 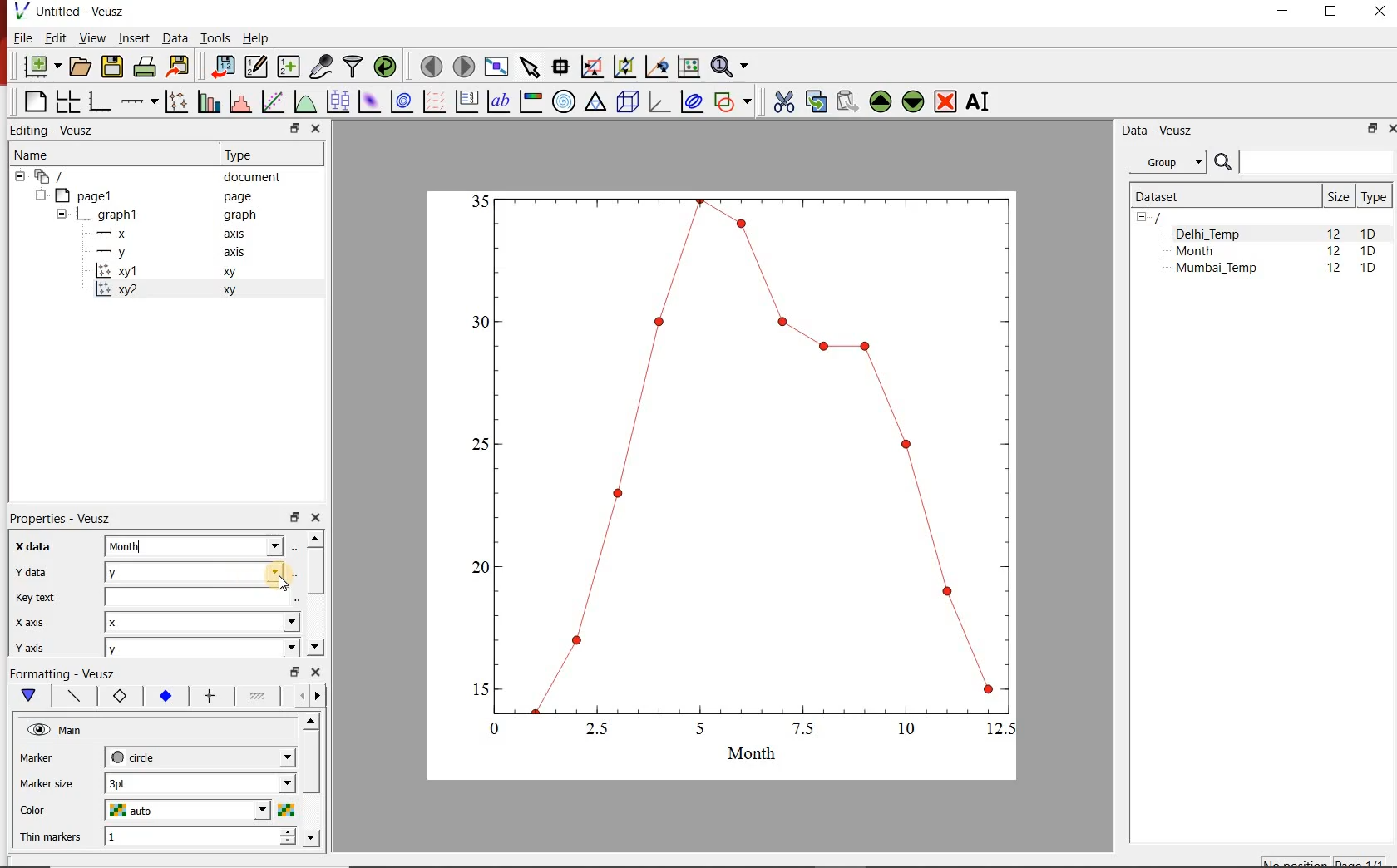 I want to click on click to zoom out of graph axes, so click(x=624, y=67).